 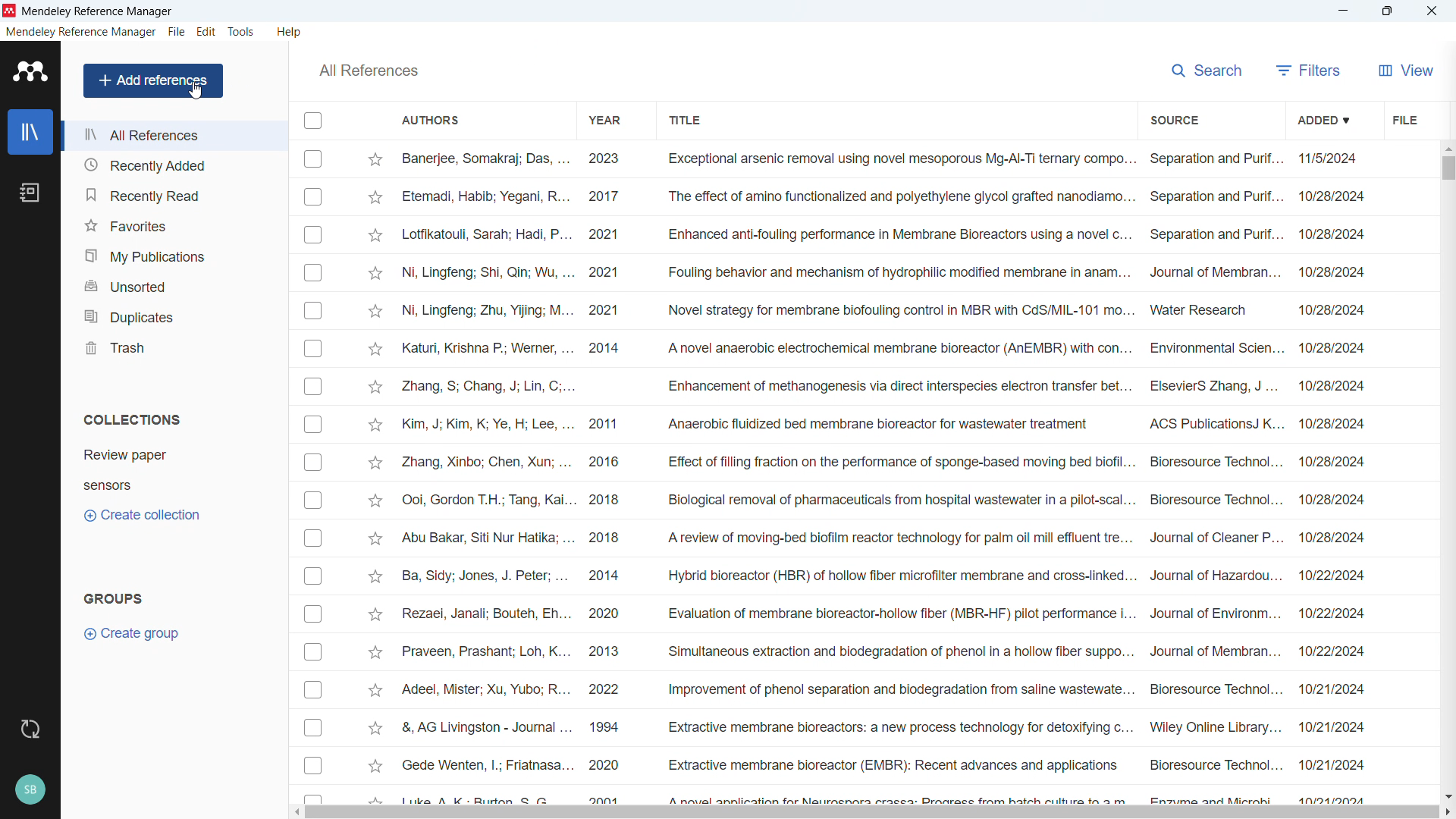 I want to click on Horizontal scroll bar , so click(x=873, y=813).